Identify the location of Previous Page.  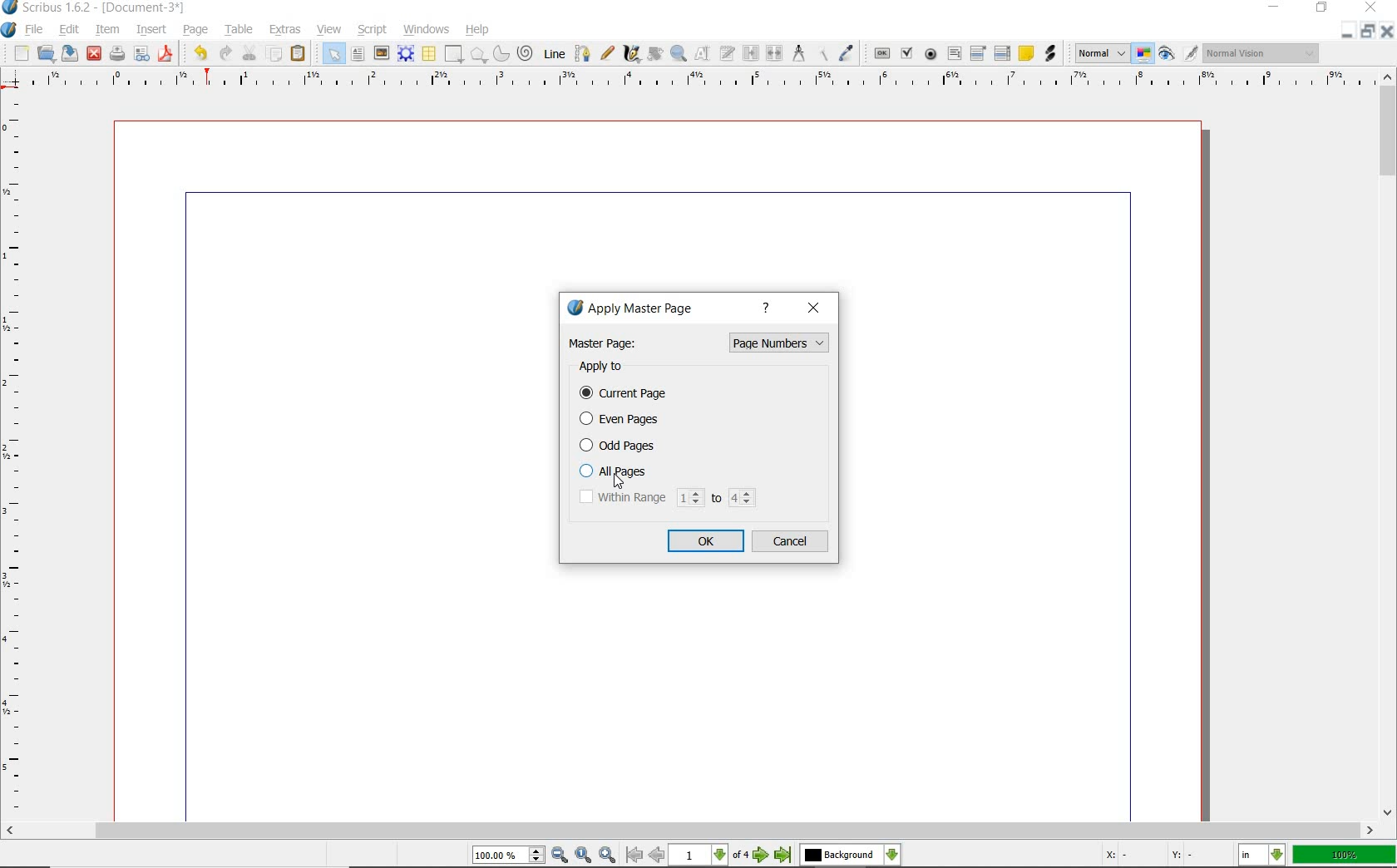
(657, 856).